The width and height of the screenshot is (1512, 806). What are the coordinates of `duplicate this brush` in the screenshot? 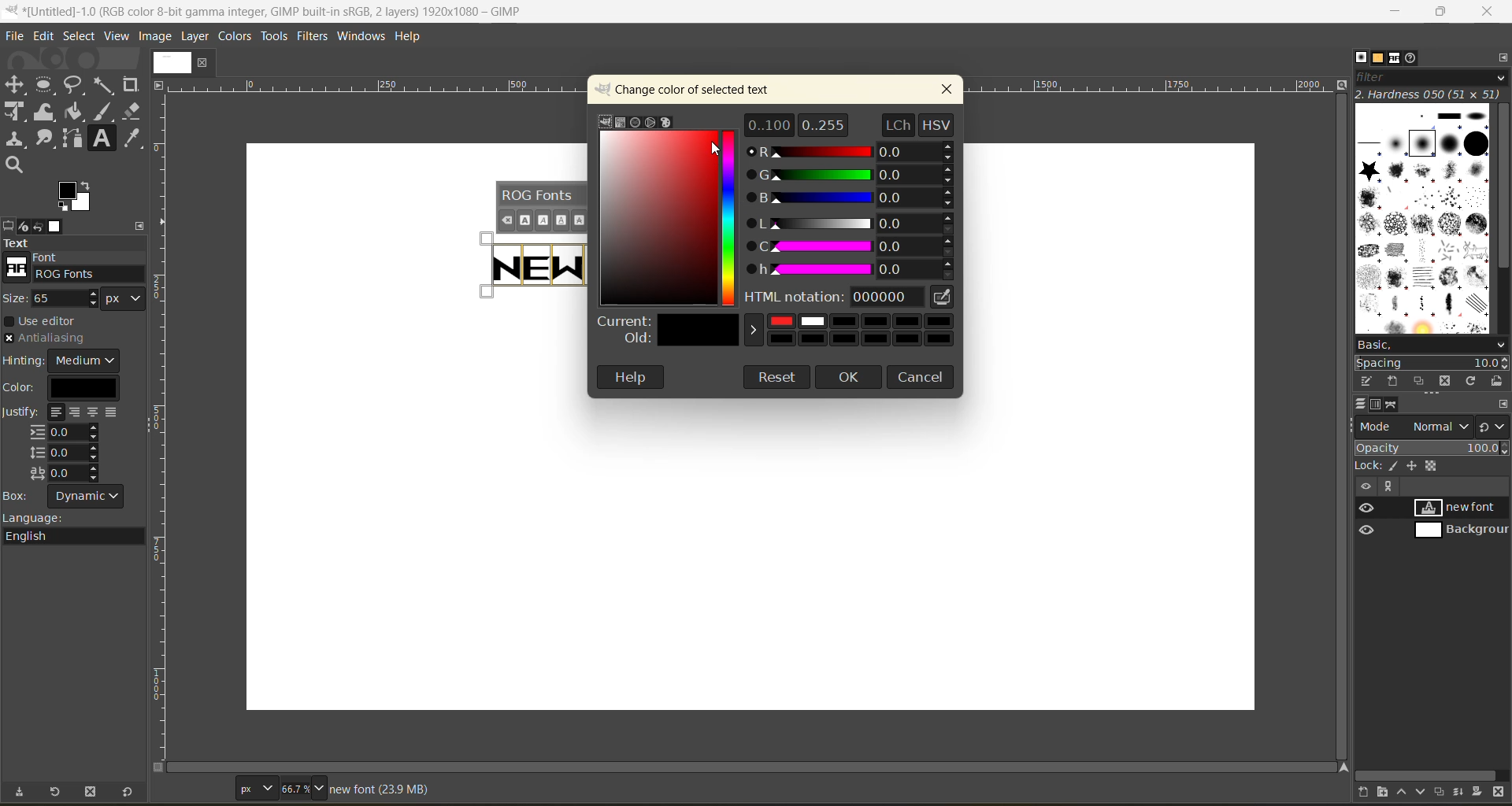 It's located at (1422, 381).